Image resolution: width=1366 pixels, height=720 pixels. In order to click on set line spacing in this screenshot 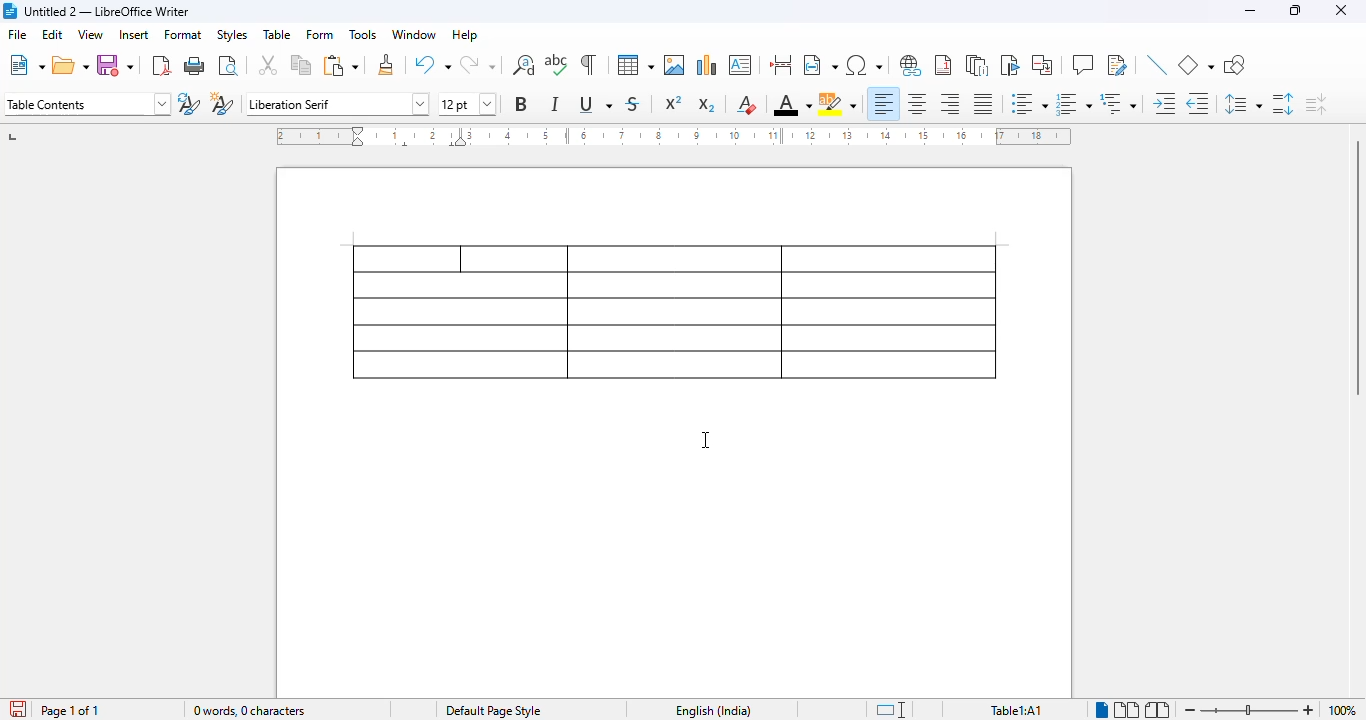, I will do `click(1242, 104)`.